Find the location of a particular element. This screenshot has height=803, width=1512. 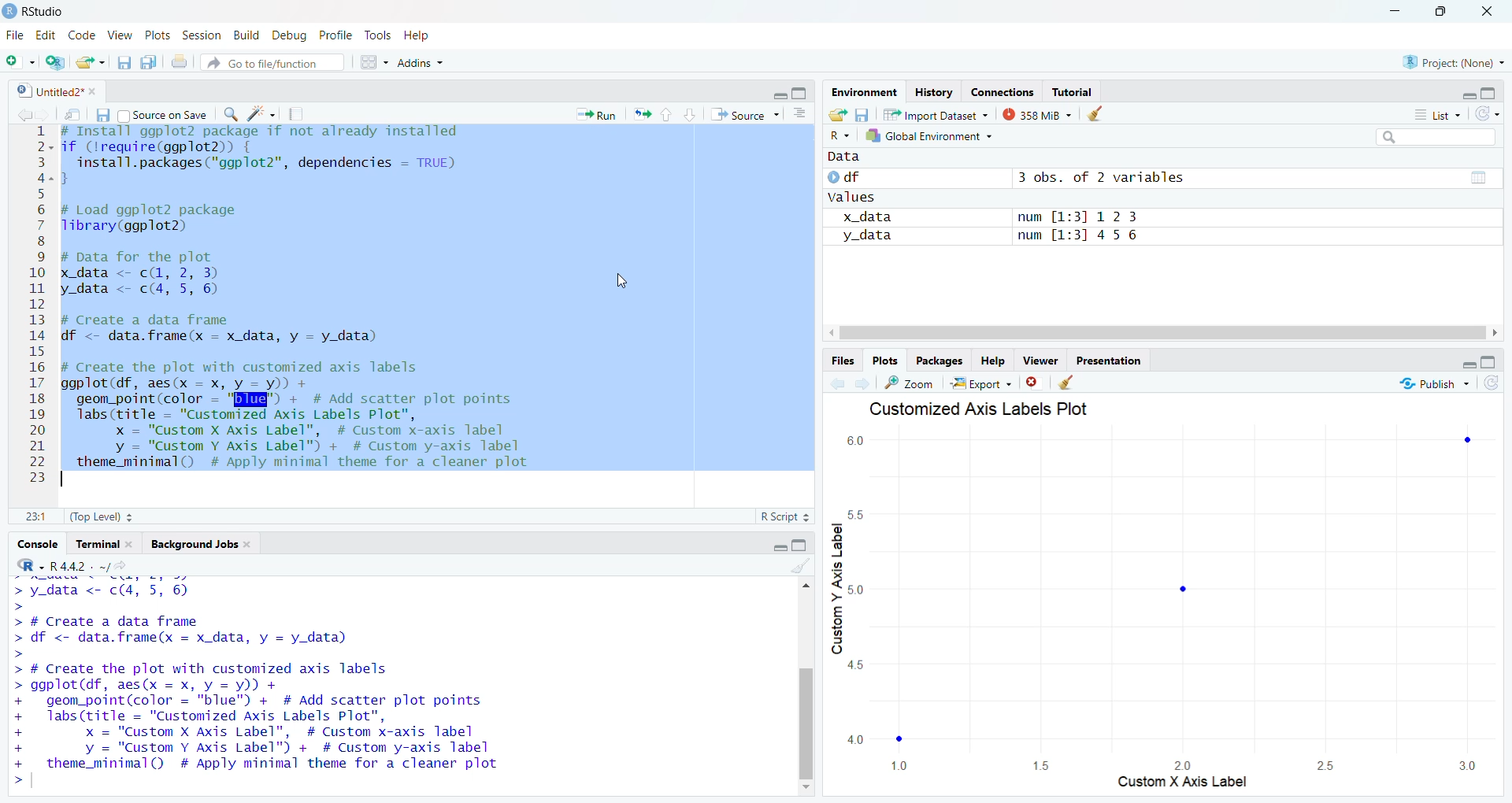

move is located at coordinates (74, 117).